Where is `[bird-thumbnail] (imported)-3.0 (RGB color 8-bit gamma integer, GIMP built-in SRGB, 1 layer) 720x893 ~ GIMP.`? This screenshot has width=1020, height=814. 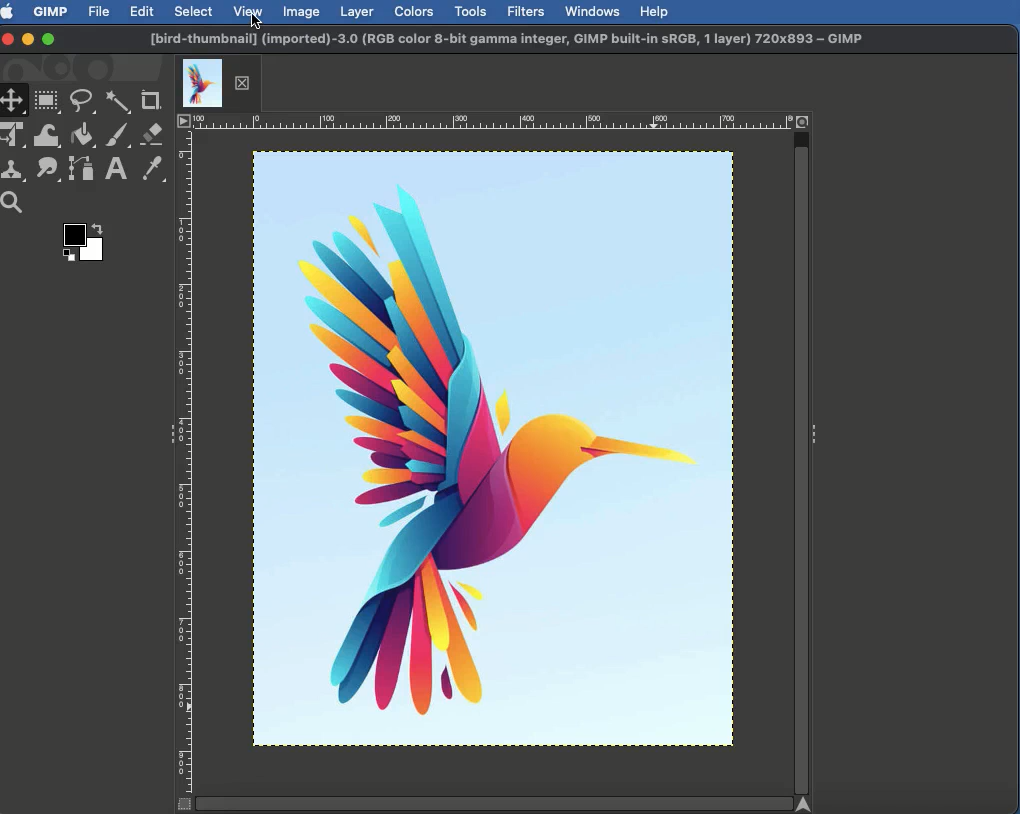
[bird-thumbnail] (imported)-3.0 (RGB color 8-bit gamma integer, GIMP built-in SRGB, 1 layer) 720x893 ~ GIMP. is located at coordinates (507, 40).